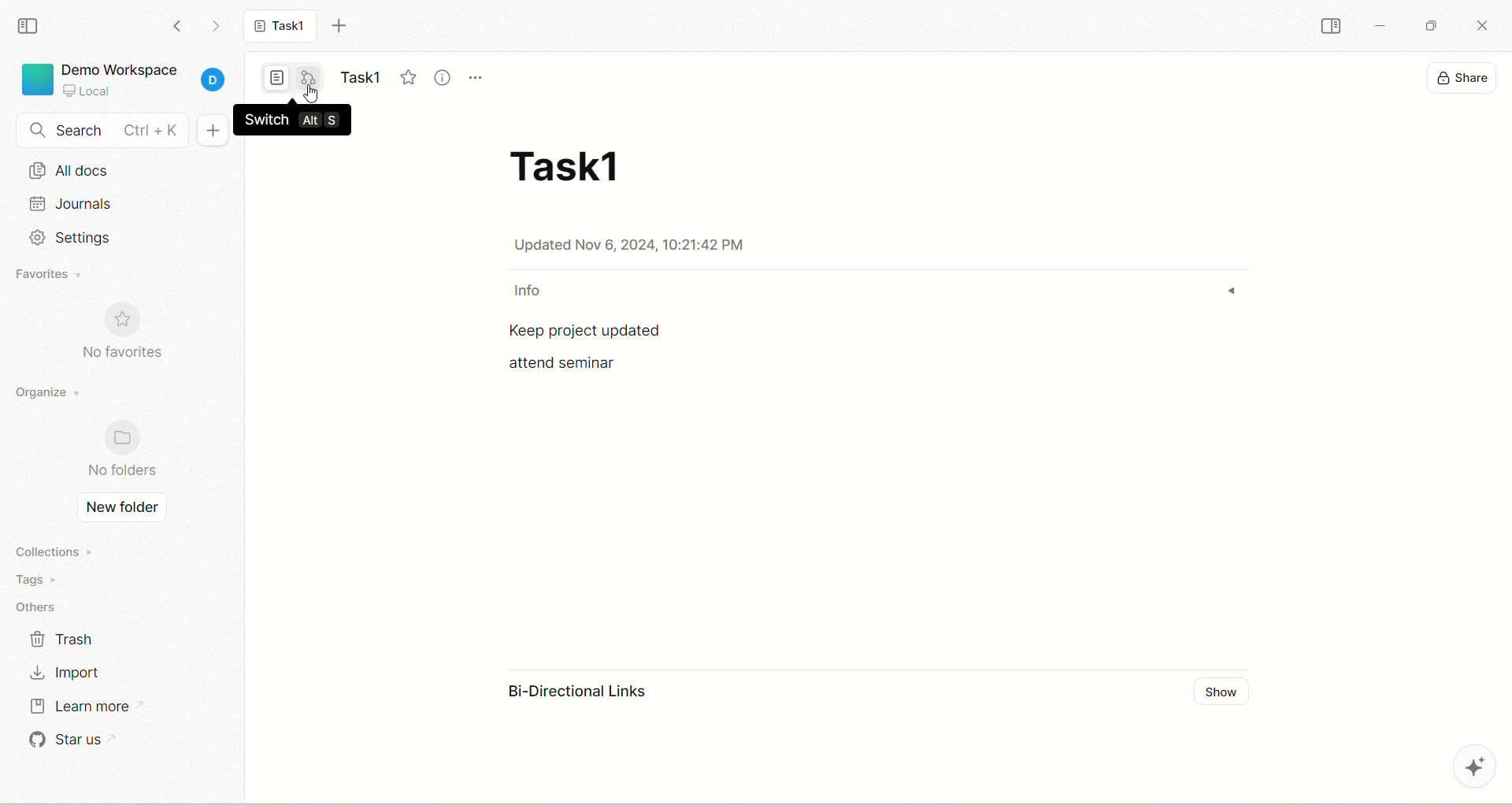 The image size is (1512, 805). What do you see at coordinates (1429, 24) in the screenshot?
I see `maximize` at bounding box center [1429, 24].